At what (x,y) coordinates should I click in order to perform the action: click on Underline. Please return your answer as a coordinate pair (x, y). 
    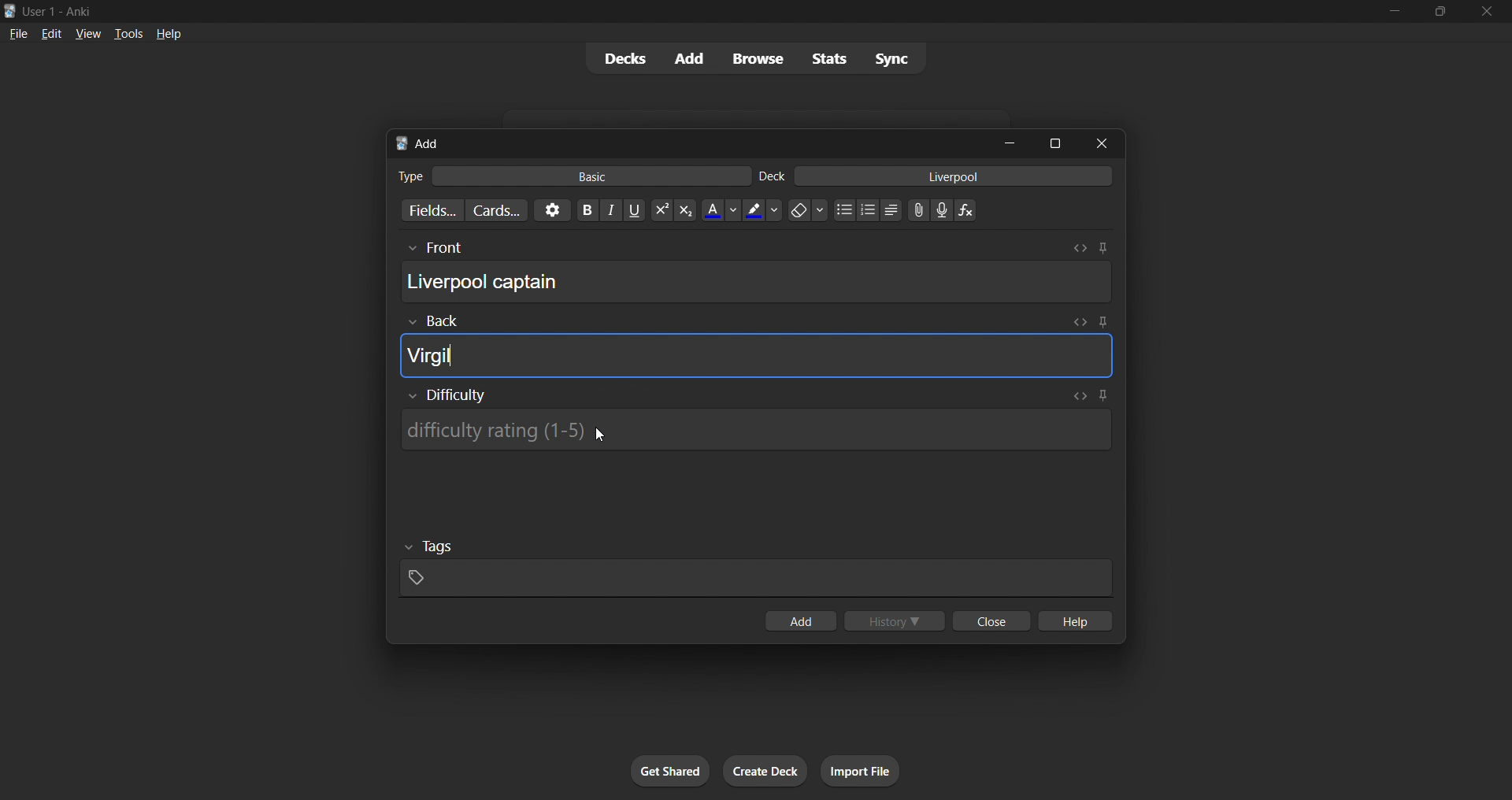
    Looking at the image, I should click on (634, 210).